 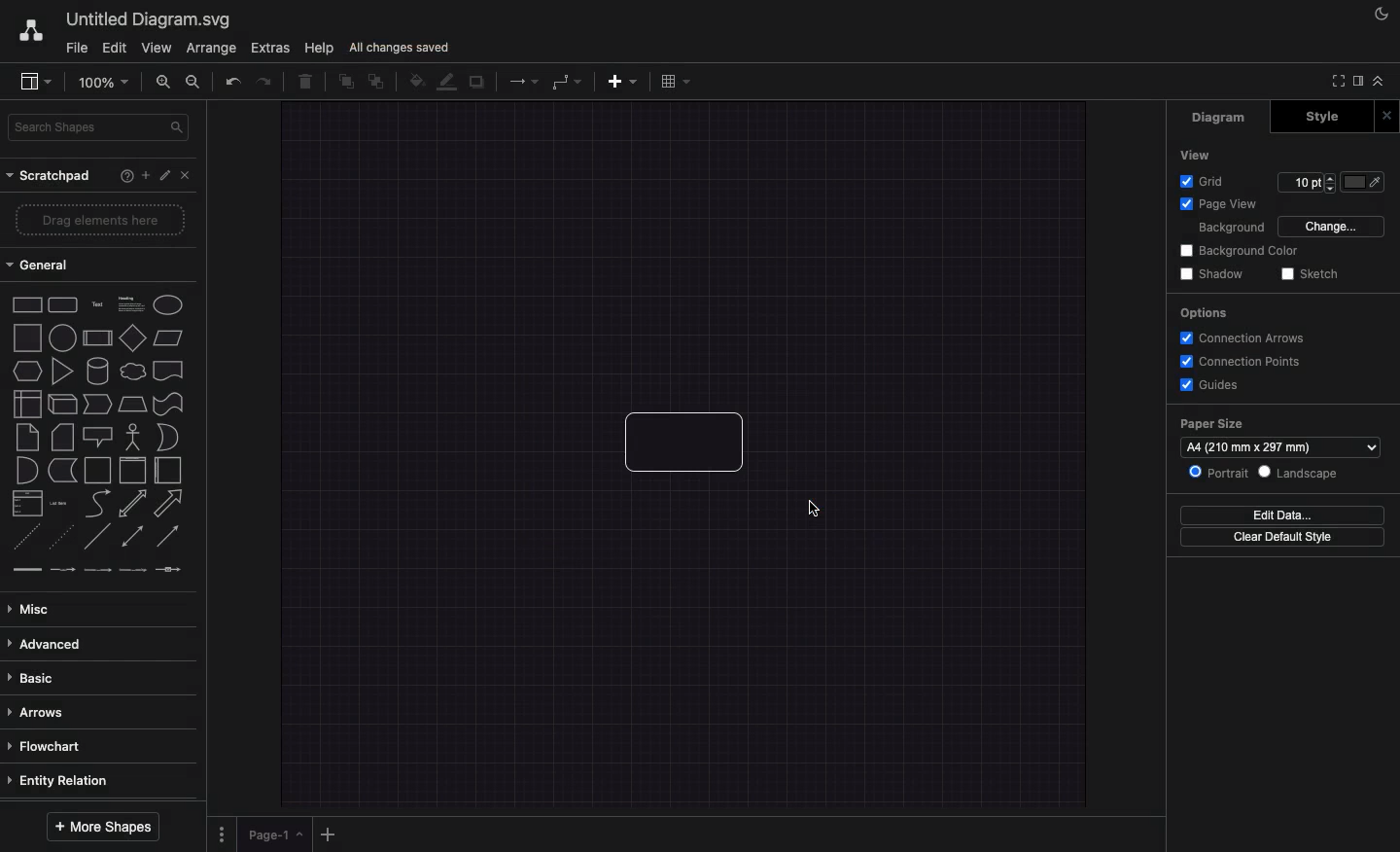 I want to click on Diagram, so click(x=1221, y=117).